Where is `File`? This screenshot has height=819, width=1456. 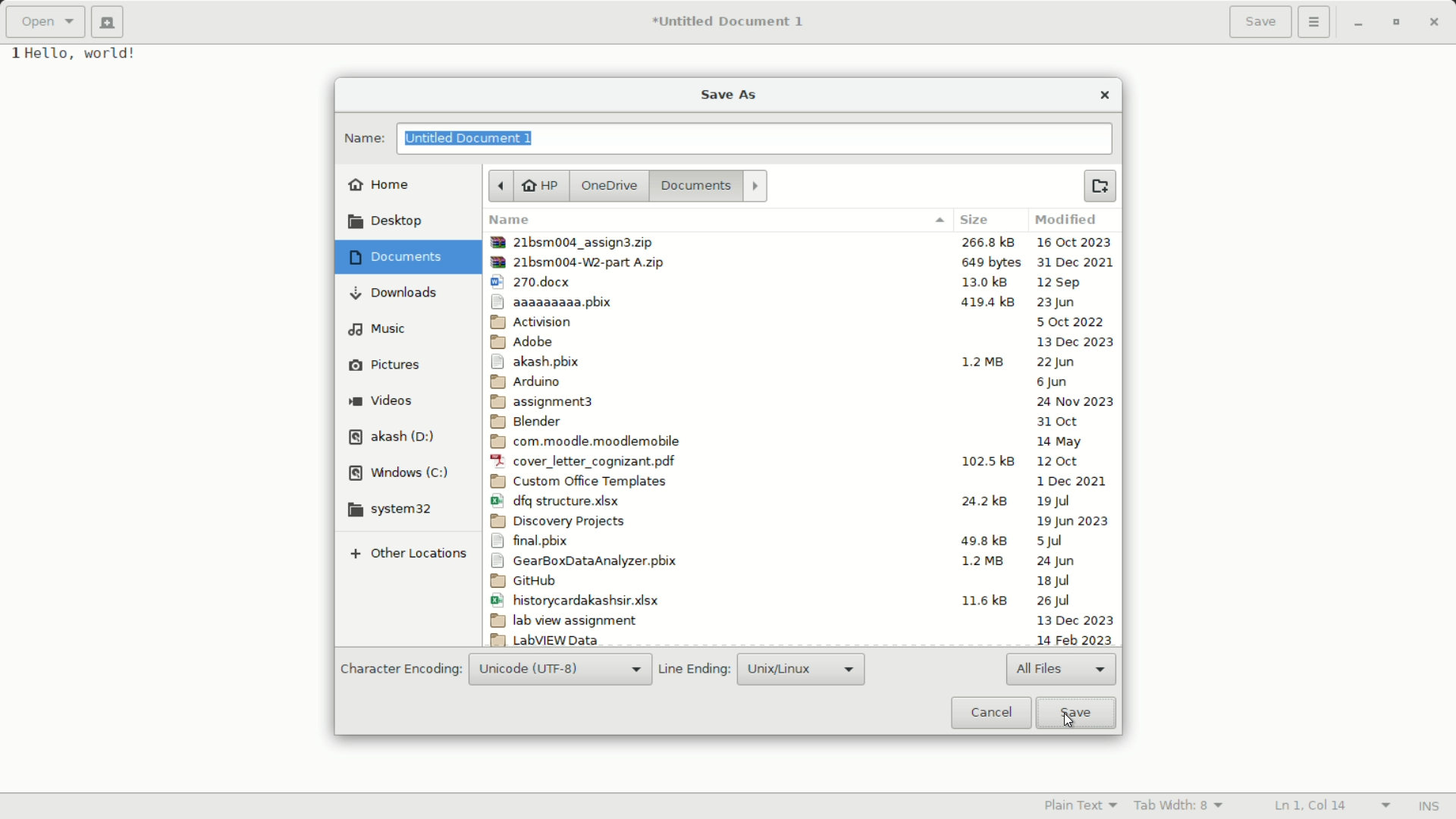
File is located at coordinates (802, 321).